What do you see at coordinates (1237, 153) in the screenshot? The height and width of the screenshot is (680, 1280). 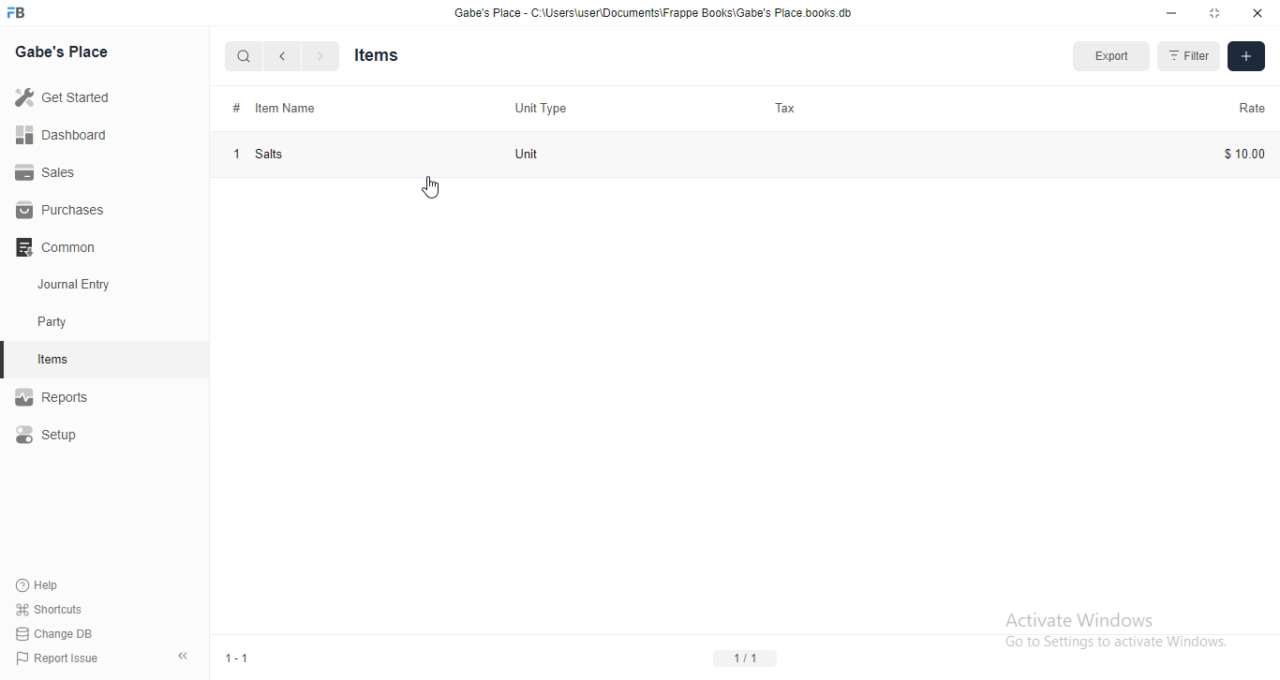 I see `$ 10.00` at bounding box center [1237, 153].